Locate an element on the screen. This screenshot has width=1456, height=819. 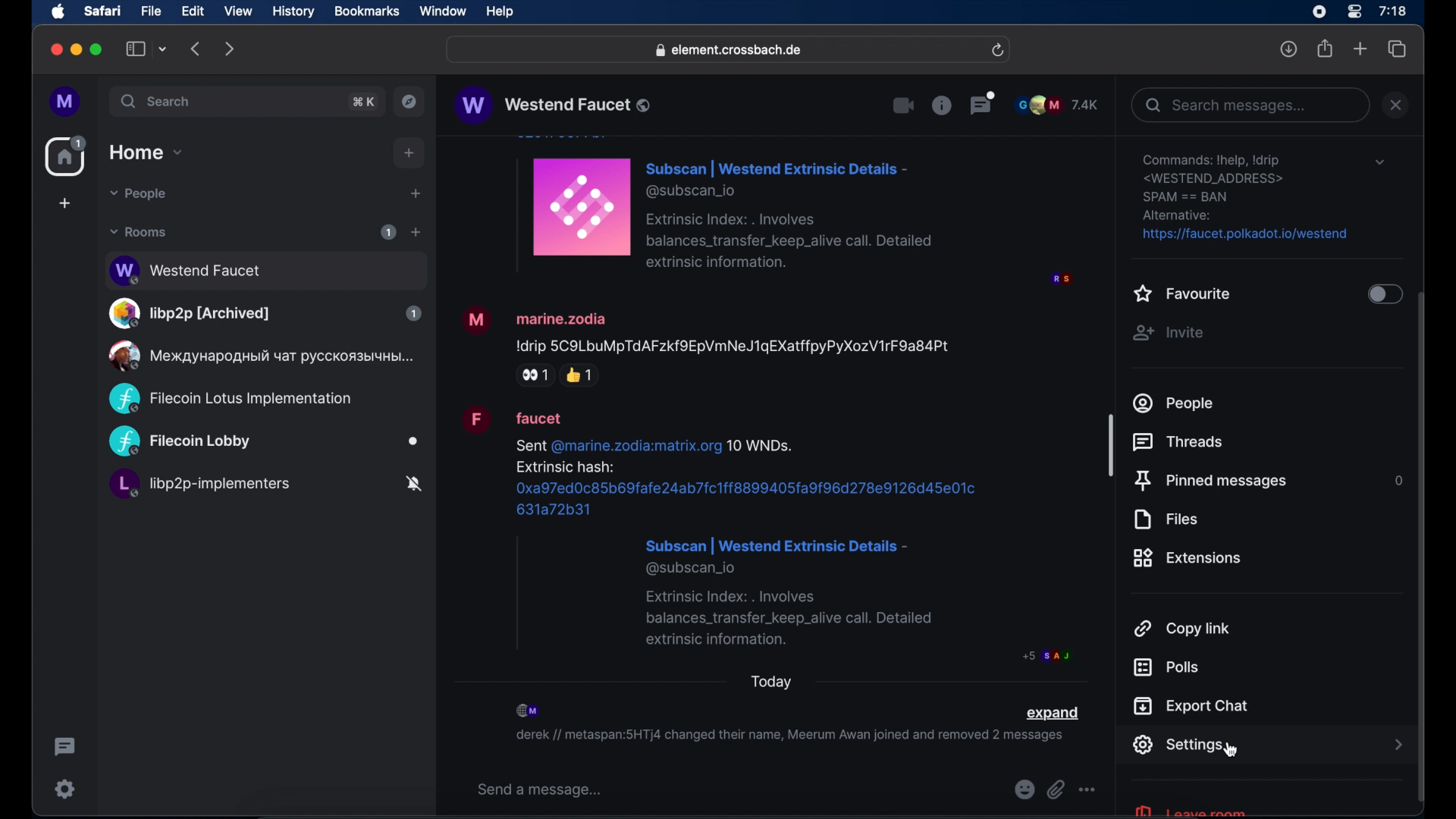
close is located at coordinates (1396, 105).